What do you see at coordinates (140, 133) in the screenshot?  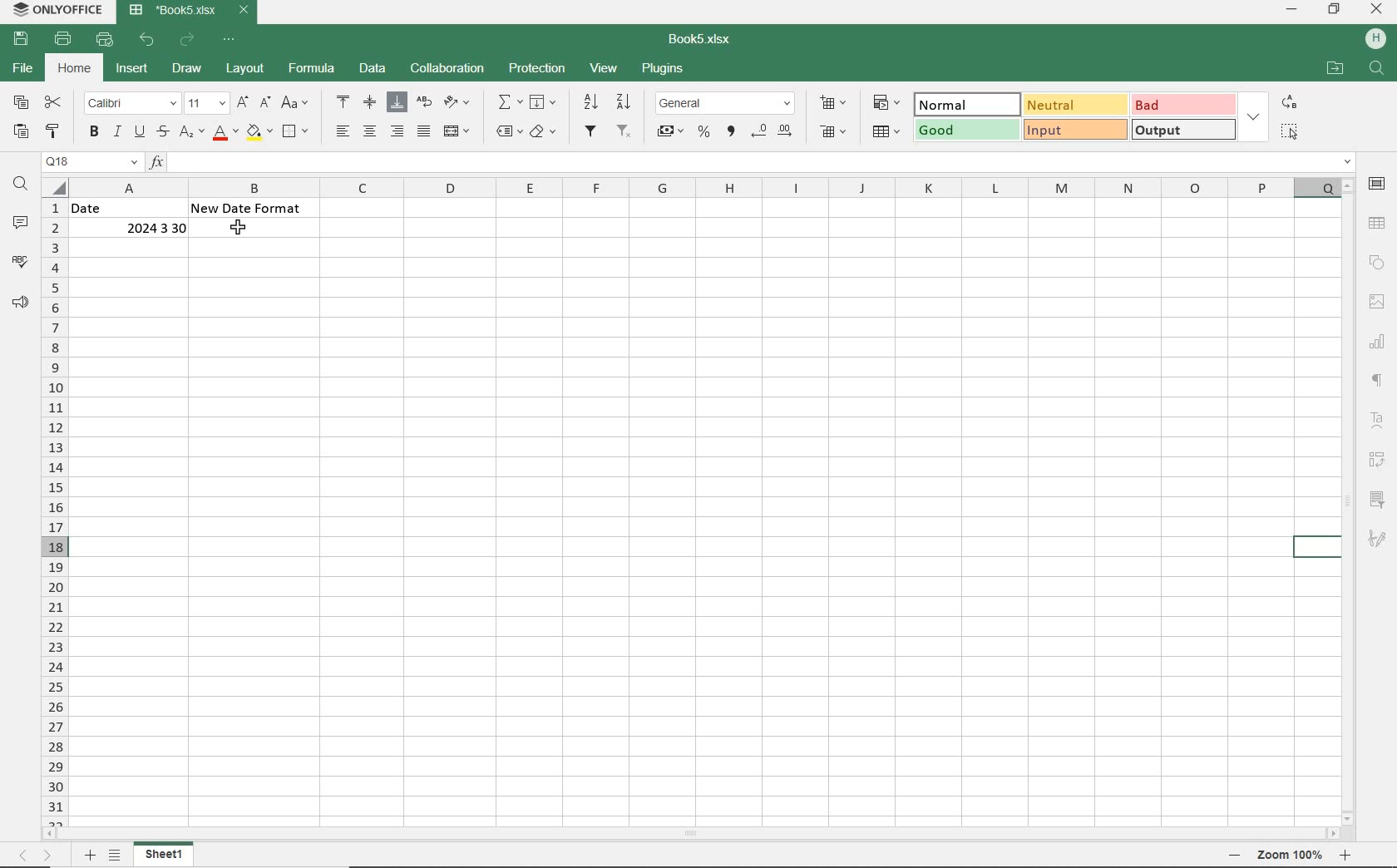 I see `UNDERLINE` at bounding box center [140, 133].